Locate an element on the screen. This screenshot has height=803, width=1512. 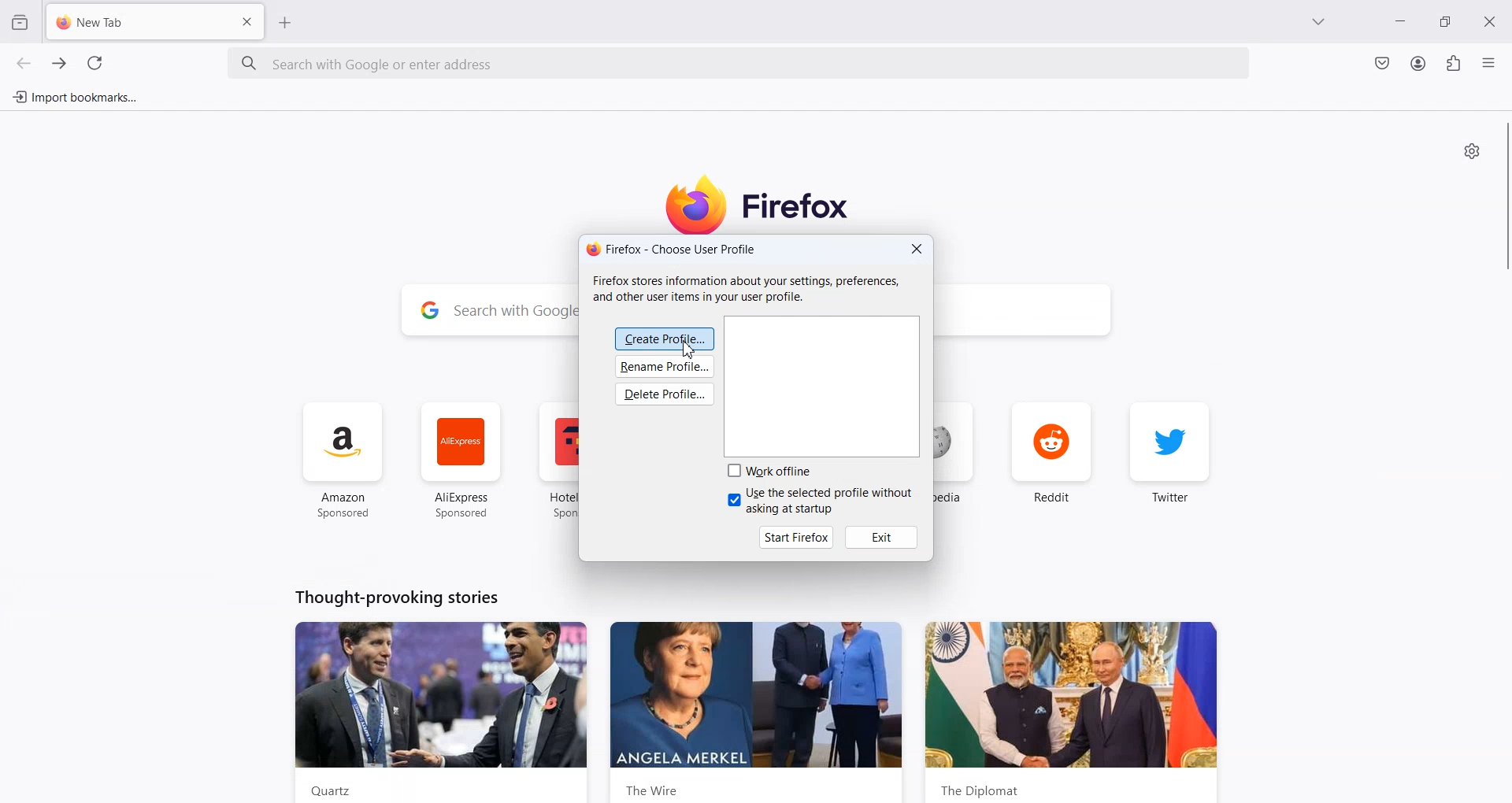
Thought-provoking stories is located at coordinates (396, 596).